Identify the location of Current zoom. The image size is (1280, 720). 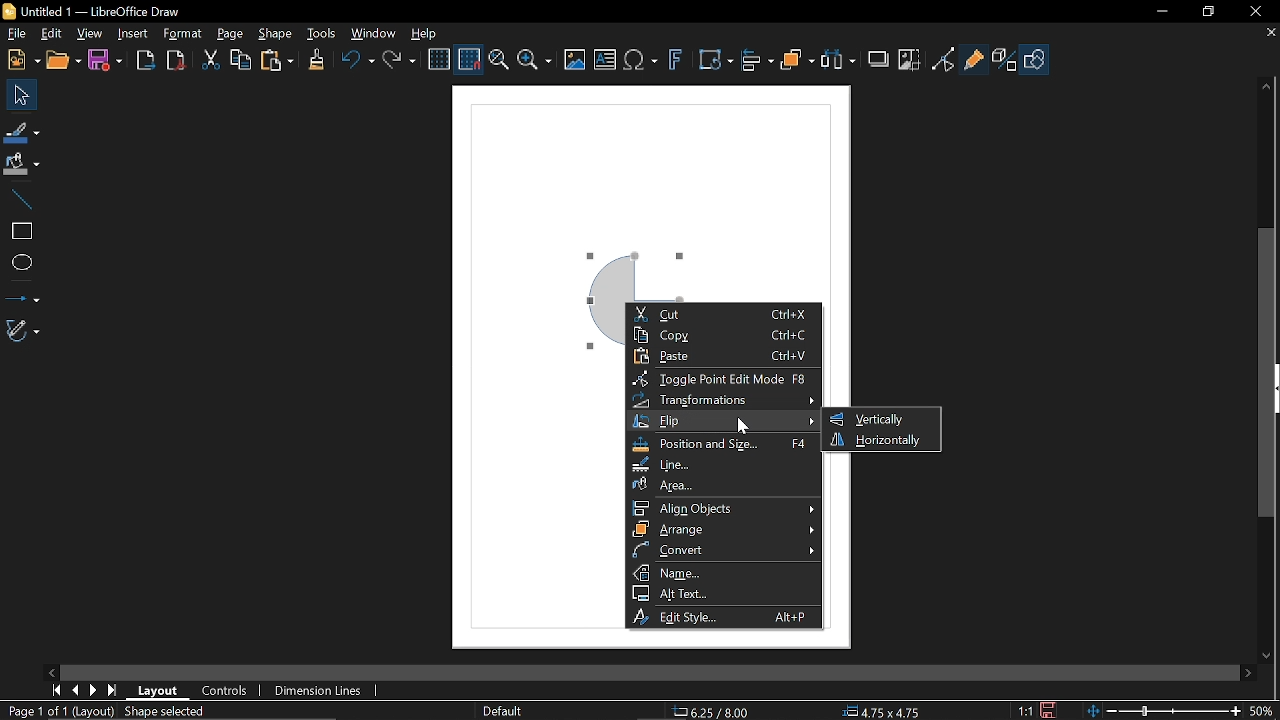
(1265, 711).